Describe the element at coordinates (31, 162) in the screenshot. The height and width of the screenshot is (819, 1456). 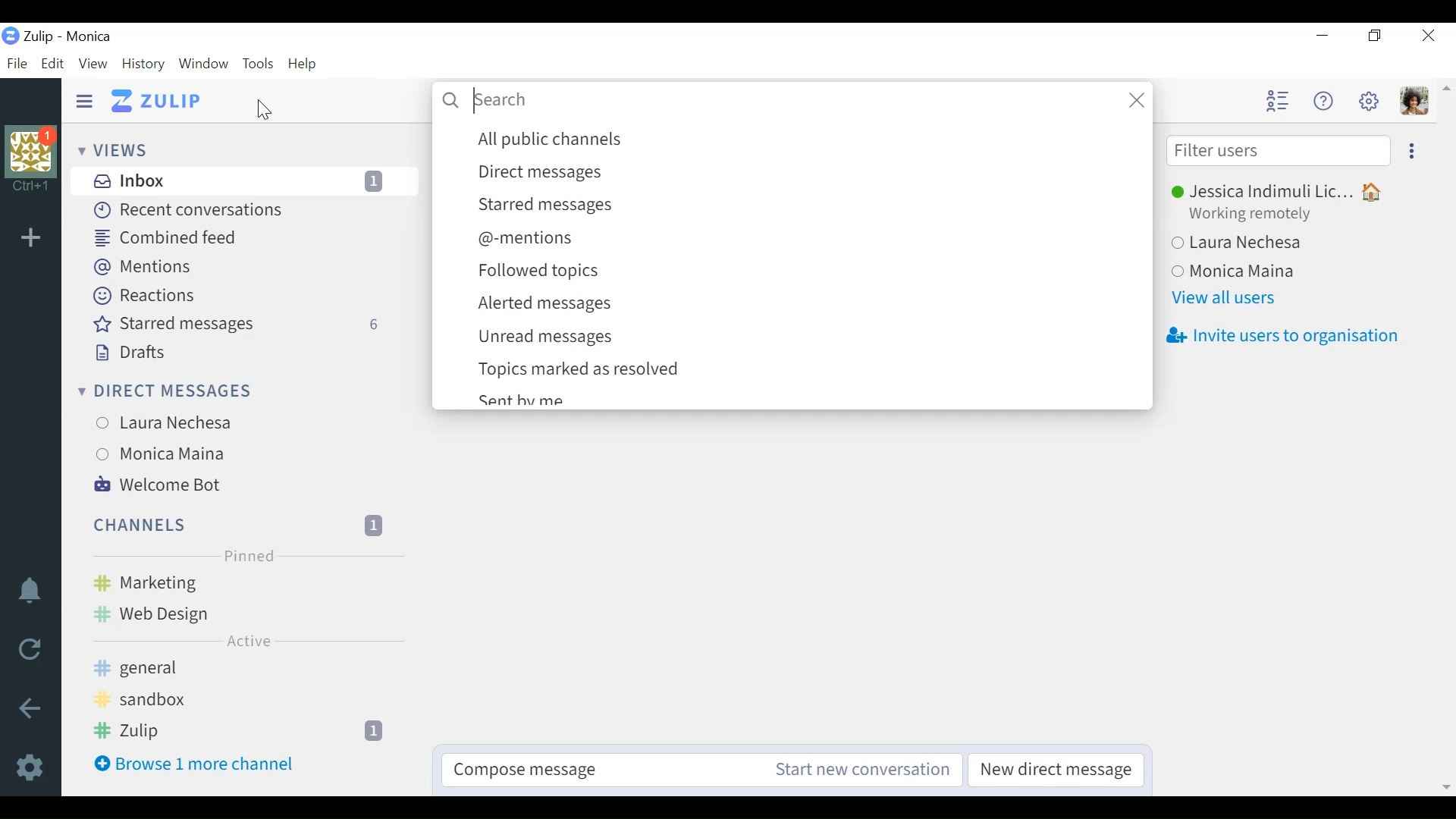
I see `Organisational Profile photo` at that location.